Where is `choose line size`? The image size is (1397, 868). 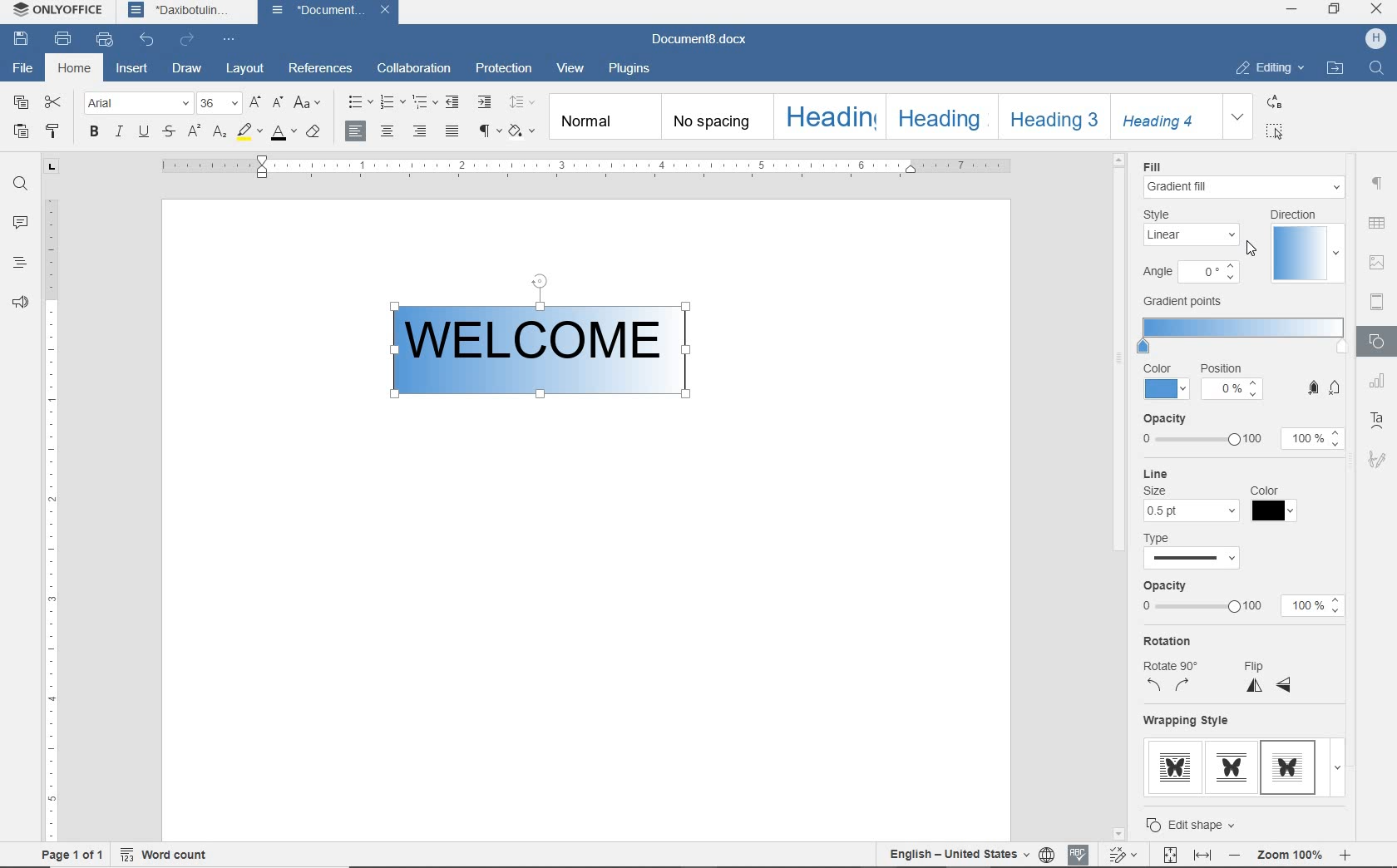 choose line size is located at coordinates (1192, 511).